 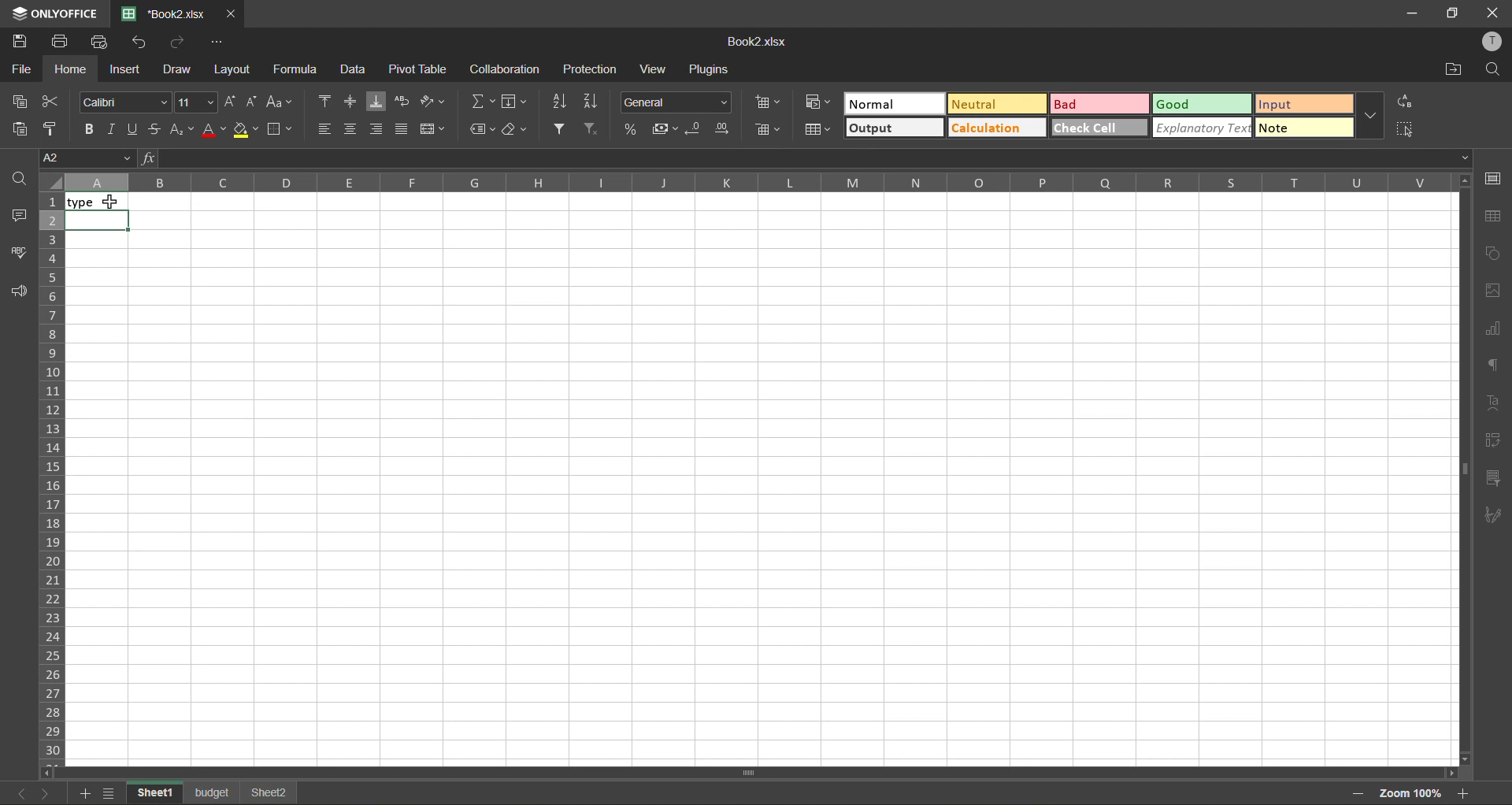 I want to click on fill color, so click(x=245, y=129).